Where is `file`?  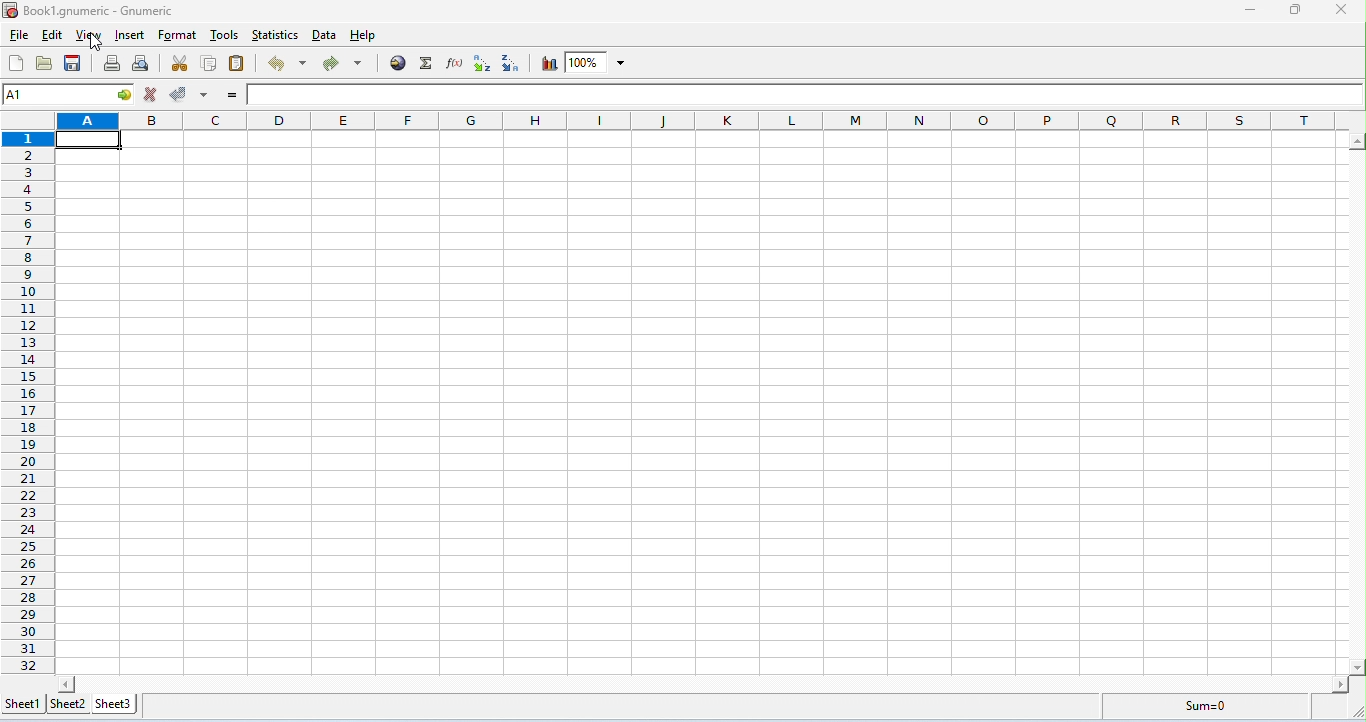
file is located at coordinates (19, 36).